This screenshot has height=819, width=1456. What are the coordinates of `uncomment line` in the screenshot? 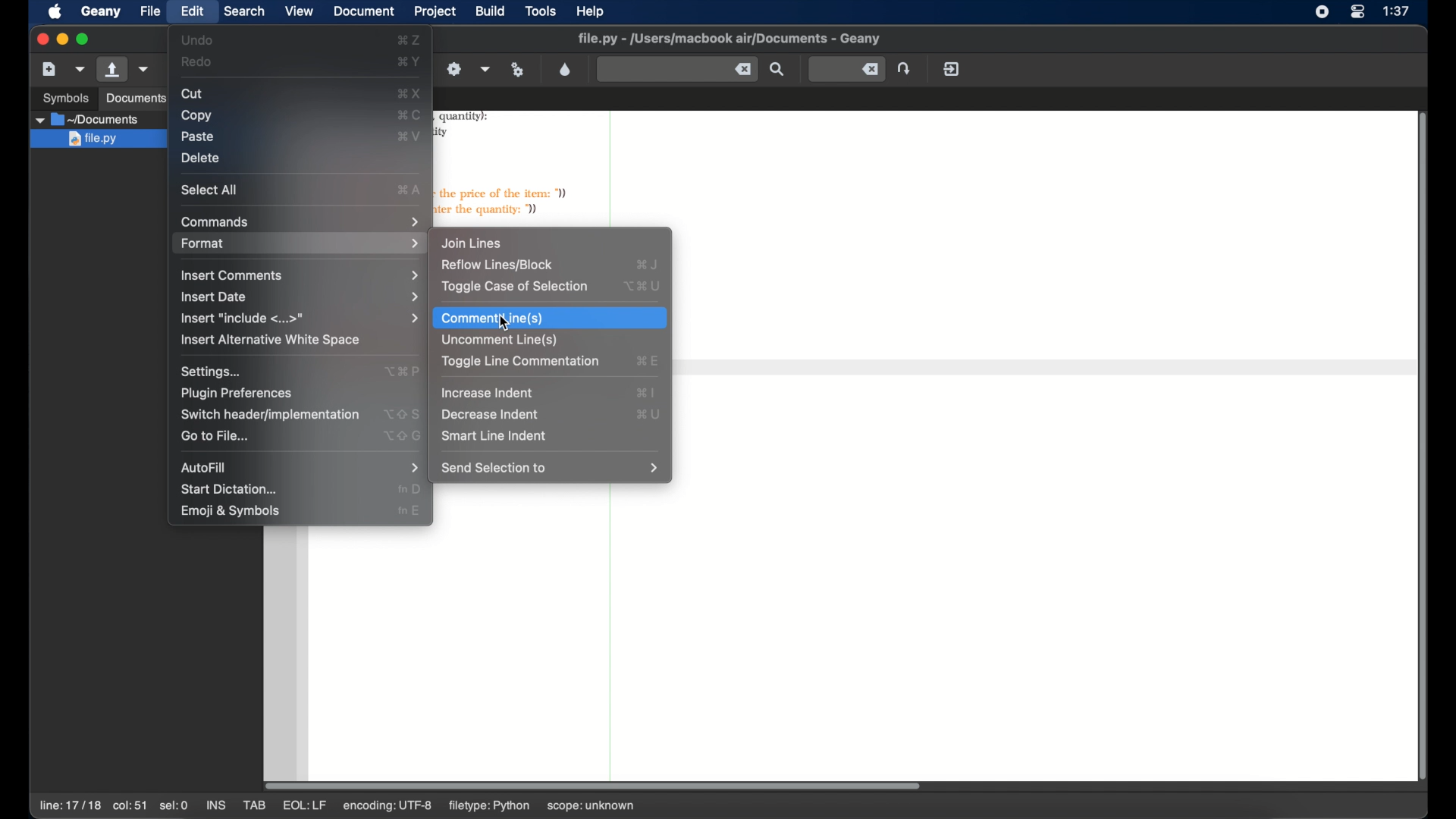 It's located at (499, 340).